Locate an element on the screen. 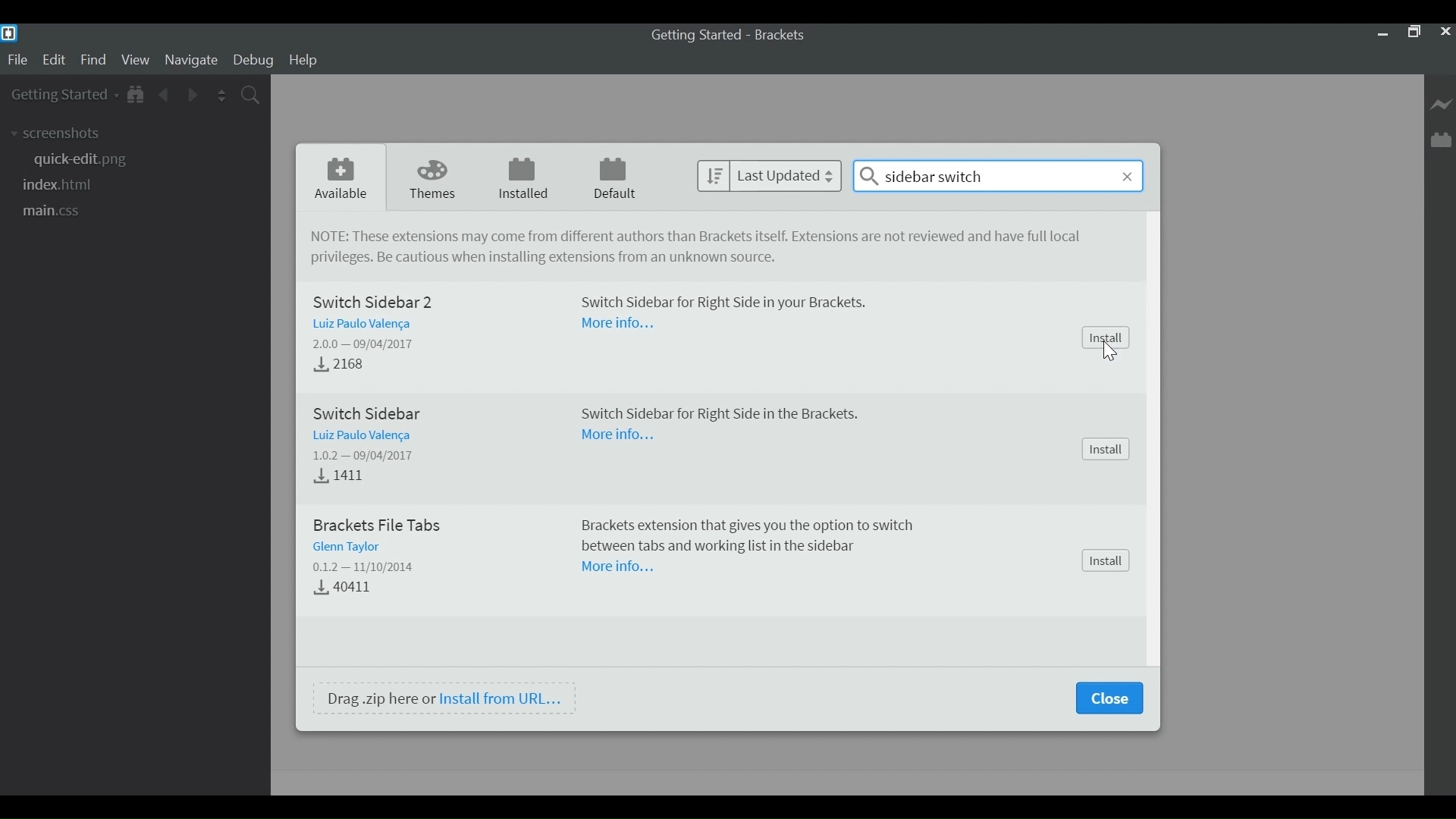  Split the Editor Vertically or Horizontally is located at coordinates (221, 96).